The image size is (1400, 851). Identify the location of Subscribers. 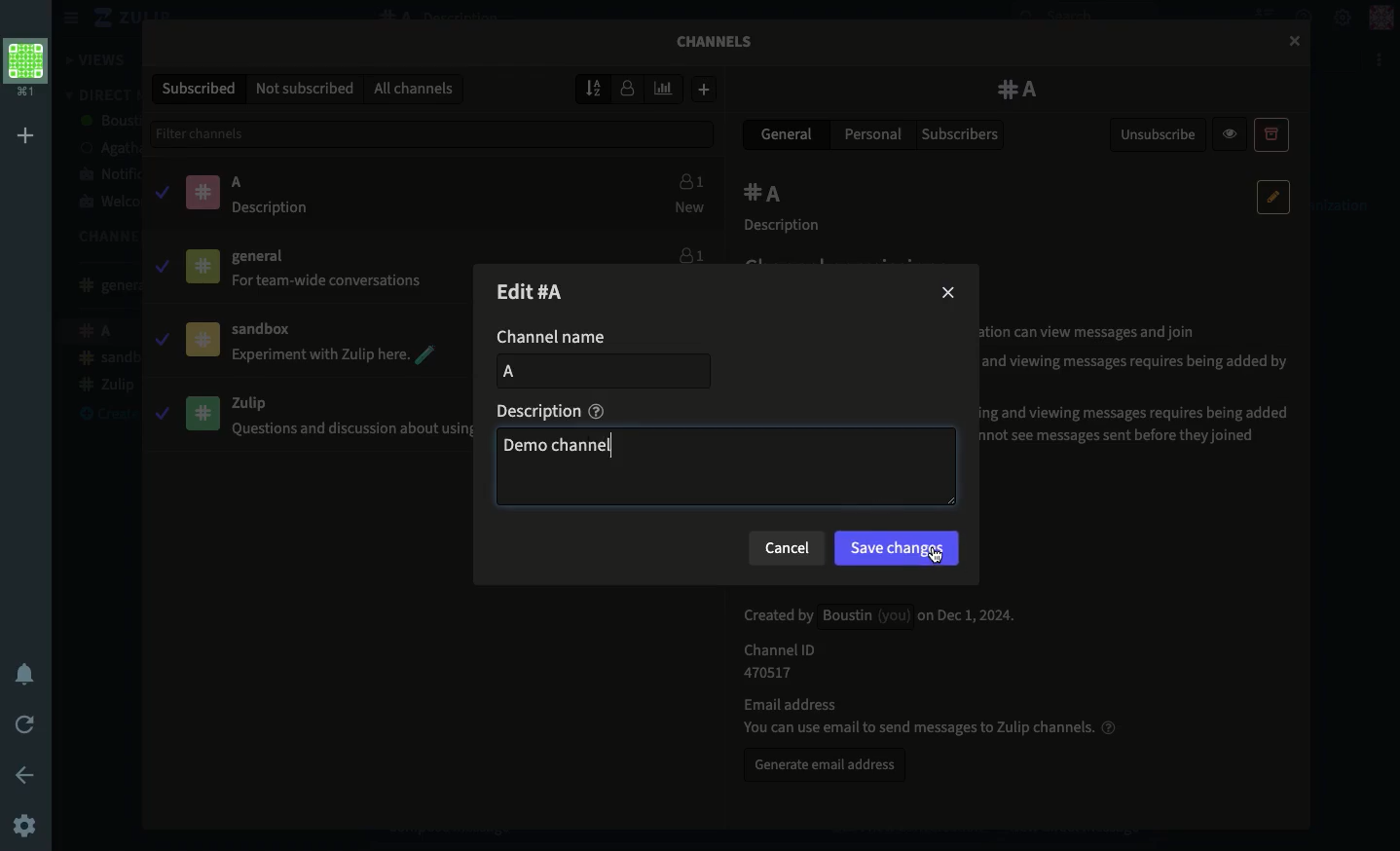
(962, 135).